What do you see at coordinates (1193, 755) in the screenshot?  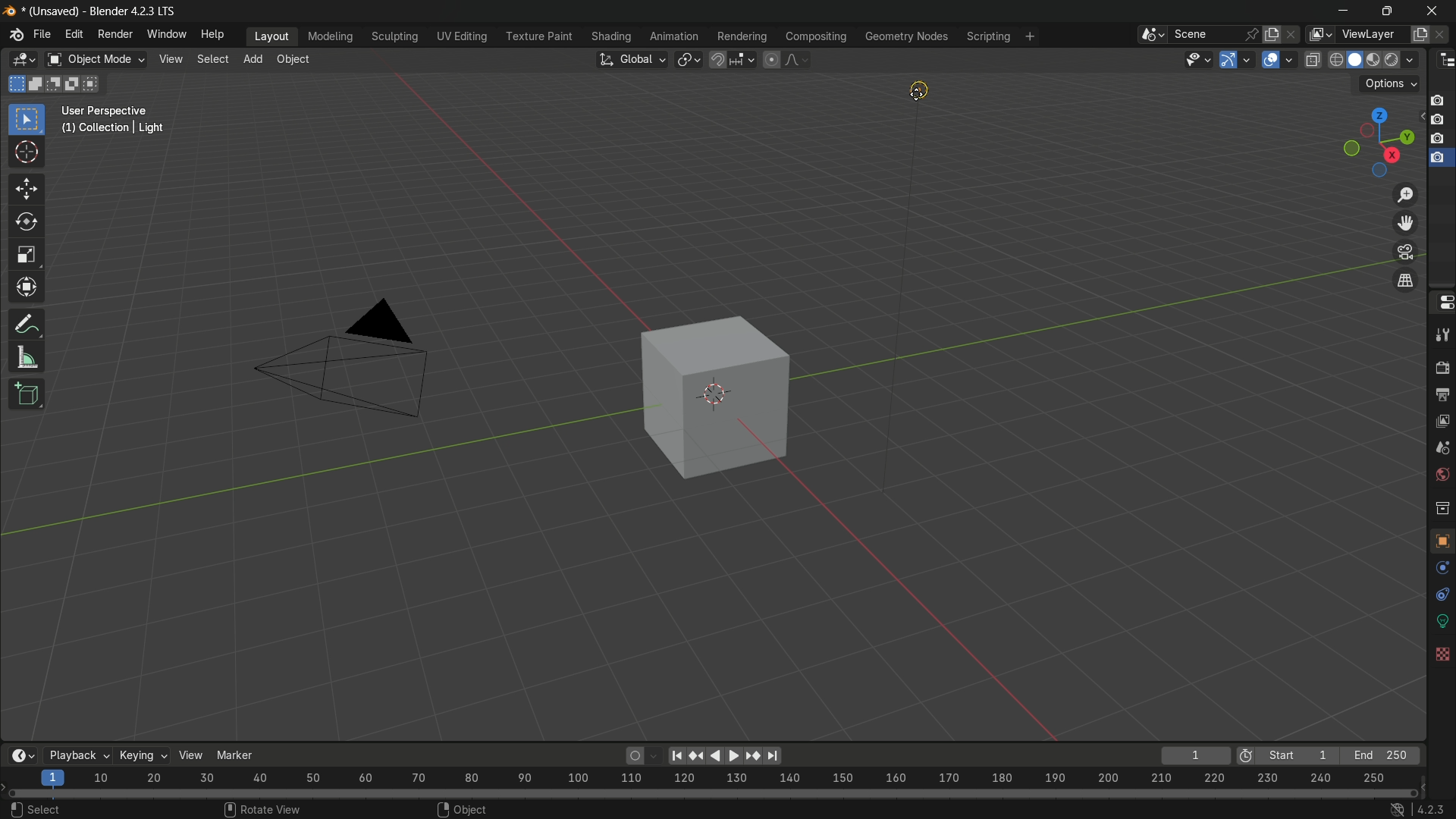 I see `current key frame` at bounding box center [1193, 755].